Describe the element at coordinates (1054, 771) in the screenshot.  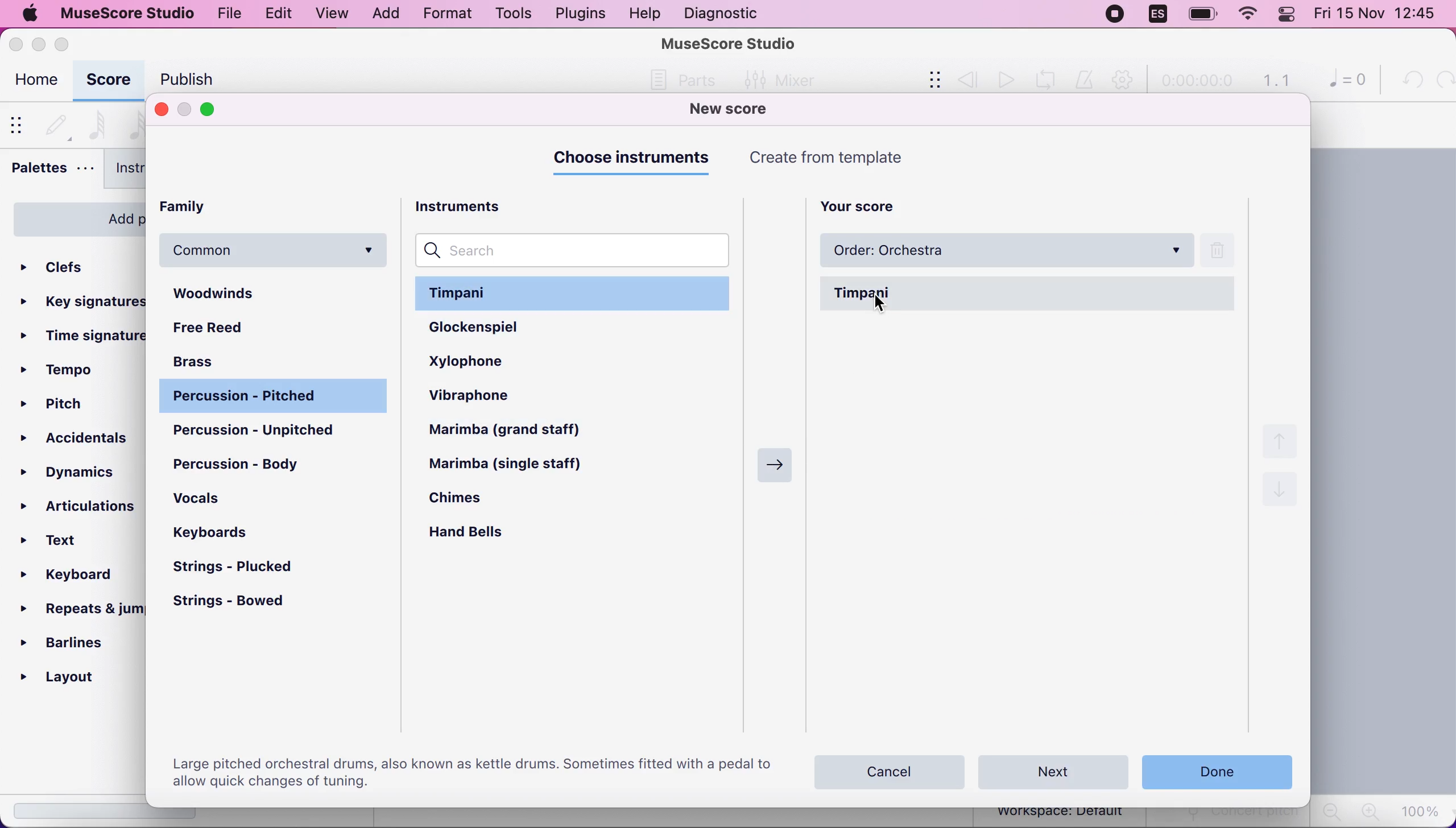
I see `next` at that location.